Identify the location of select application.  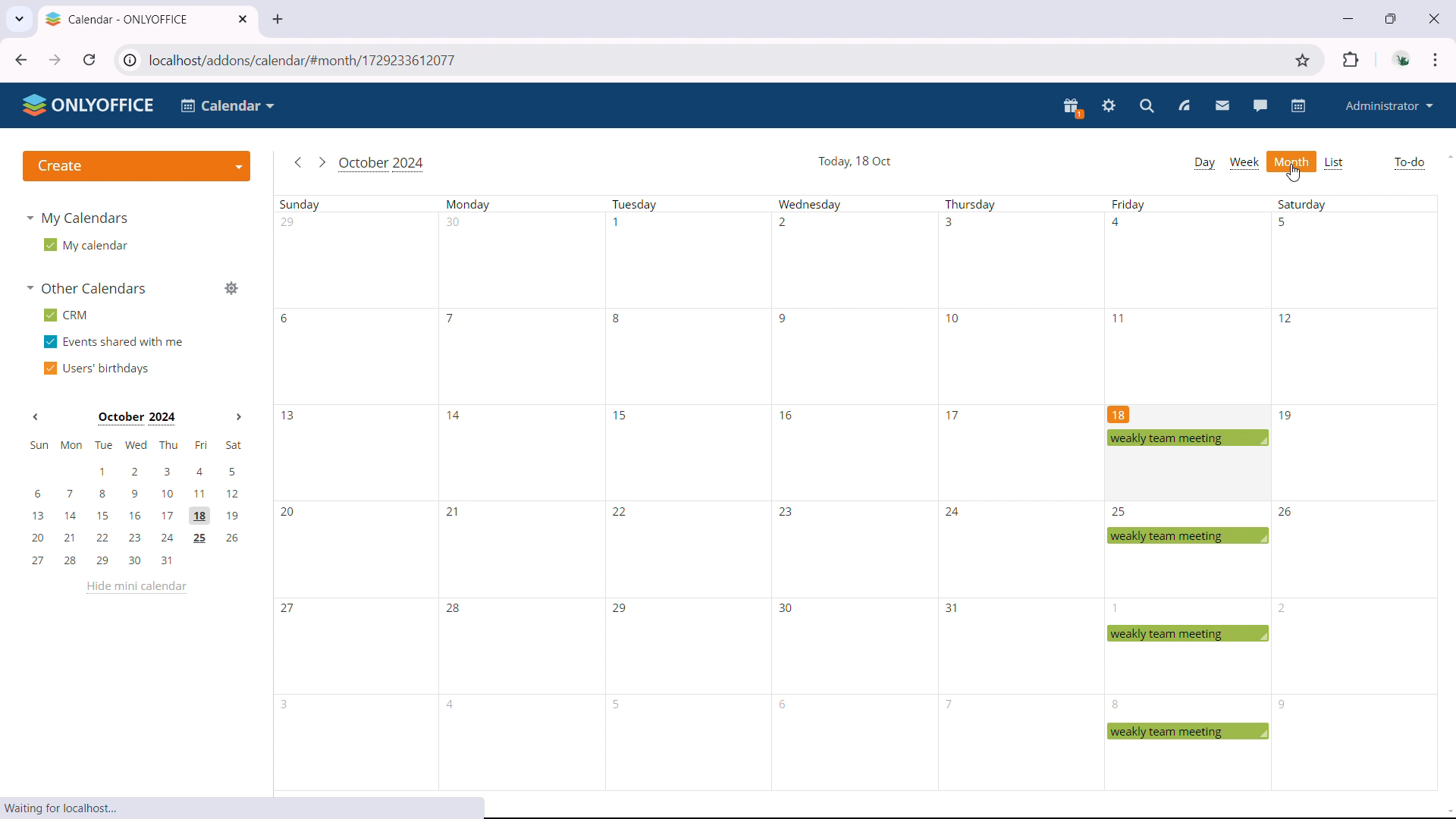
(226, 106).